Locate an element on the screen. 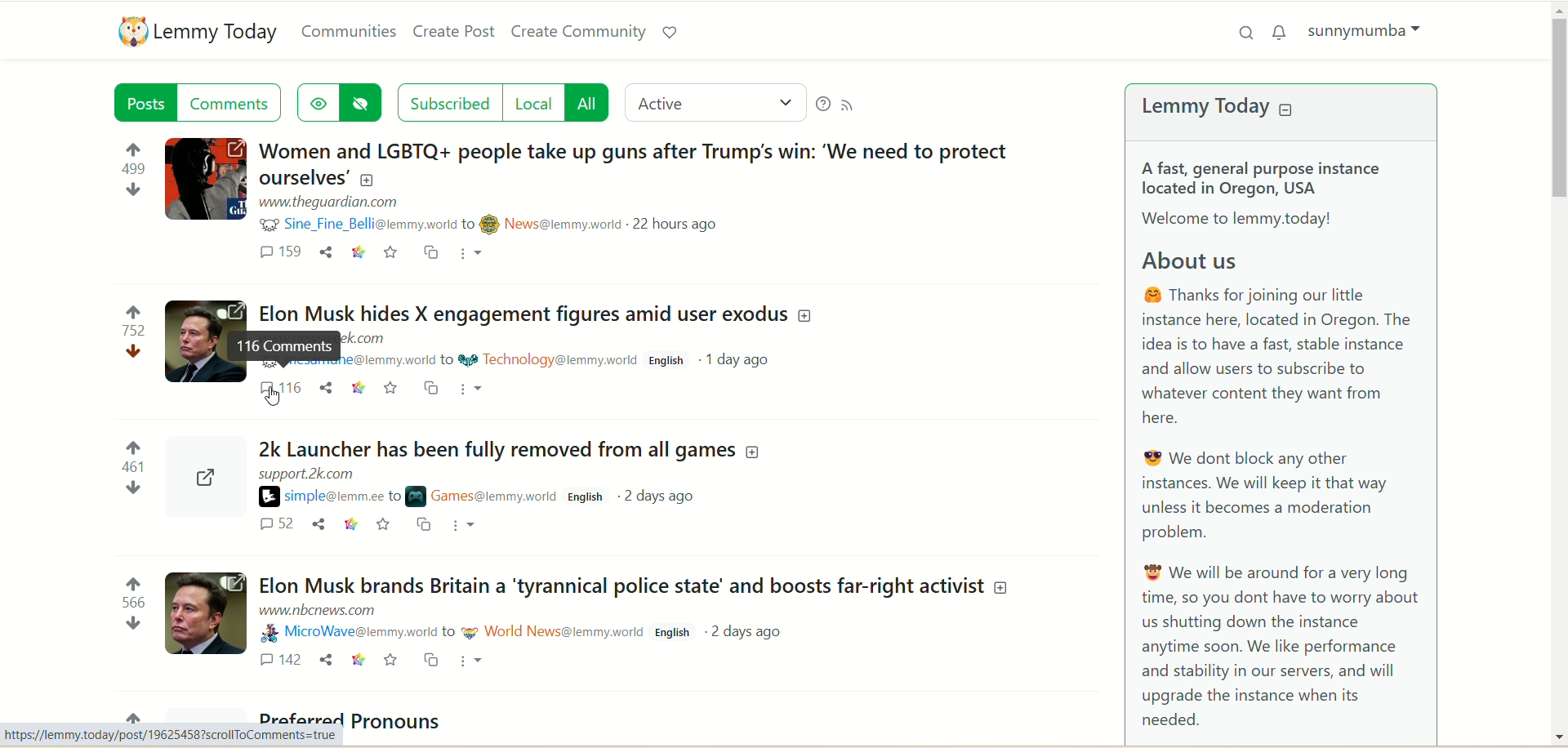 This screenshot has width=1568, height=748. Profile is located at coordinates (194, 341).